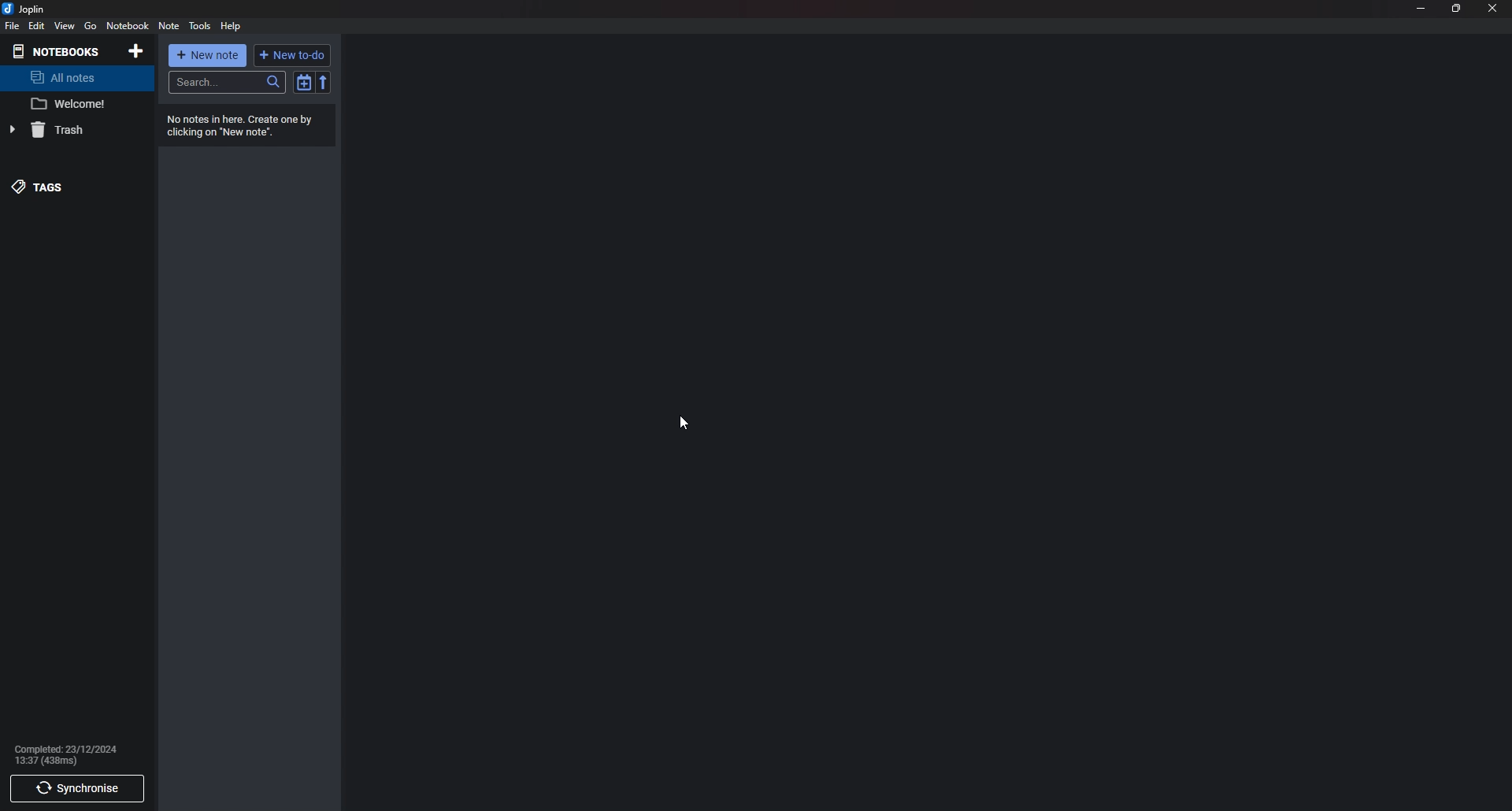 This screenshot has width=1512, height=811. Describe the element at coordinates (1491, 8) in the screenshot. I see `close` at that location.